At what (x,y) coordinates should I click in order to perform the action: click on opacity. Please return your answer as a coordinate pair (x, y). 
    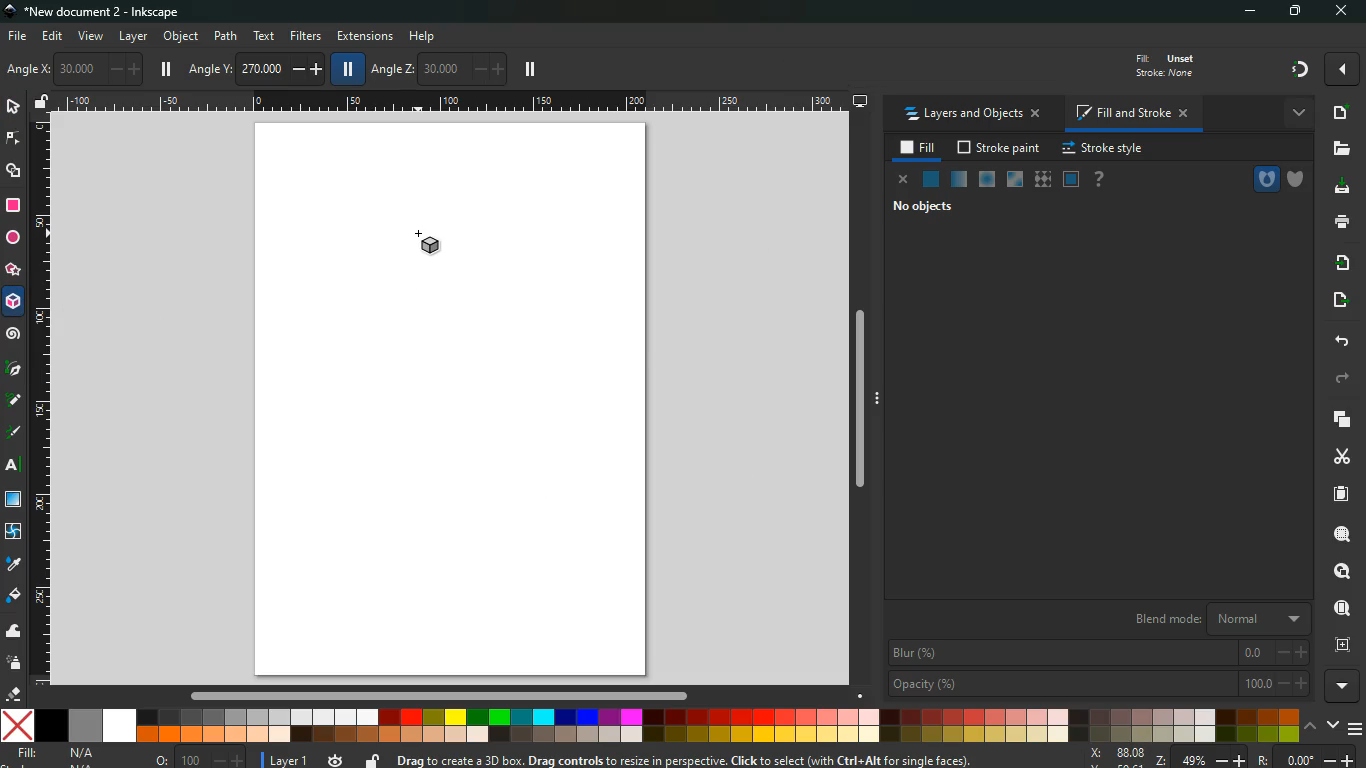
    Looking at the image, I should click on (959, 180).